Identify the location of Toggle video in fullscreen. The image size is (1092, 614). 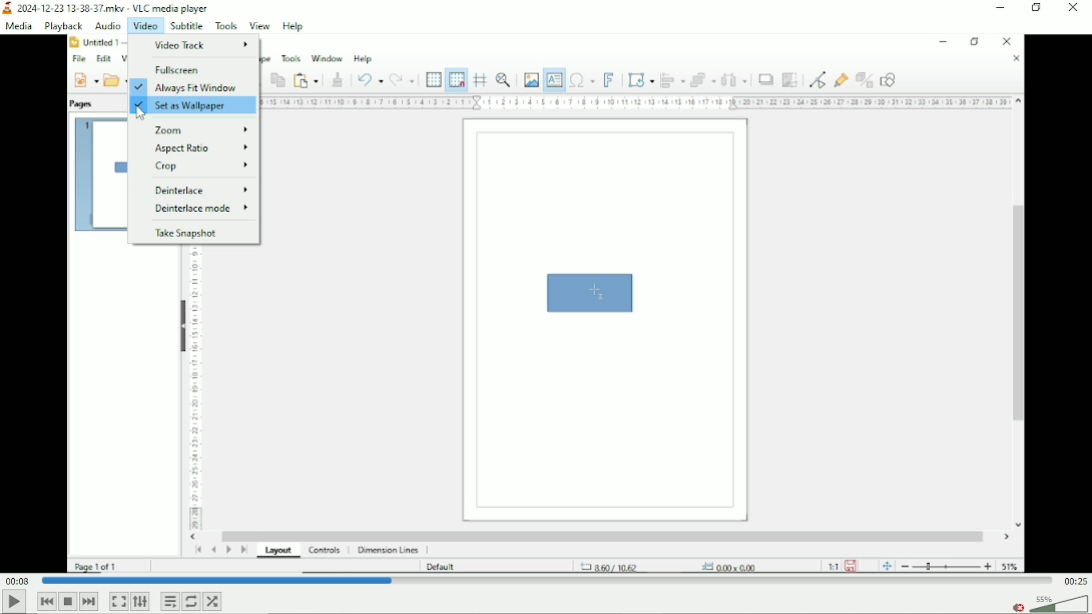
(118, 602).